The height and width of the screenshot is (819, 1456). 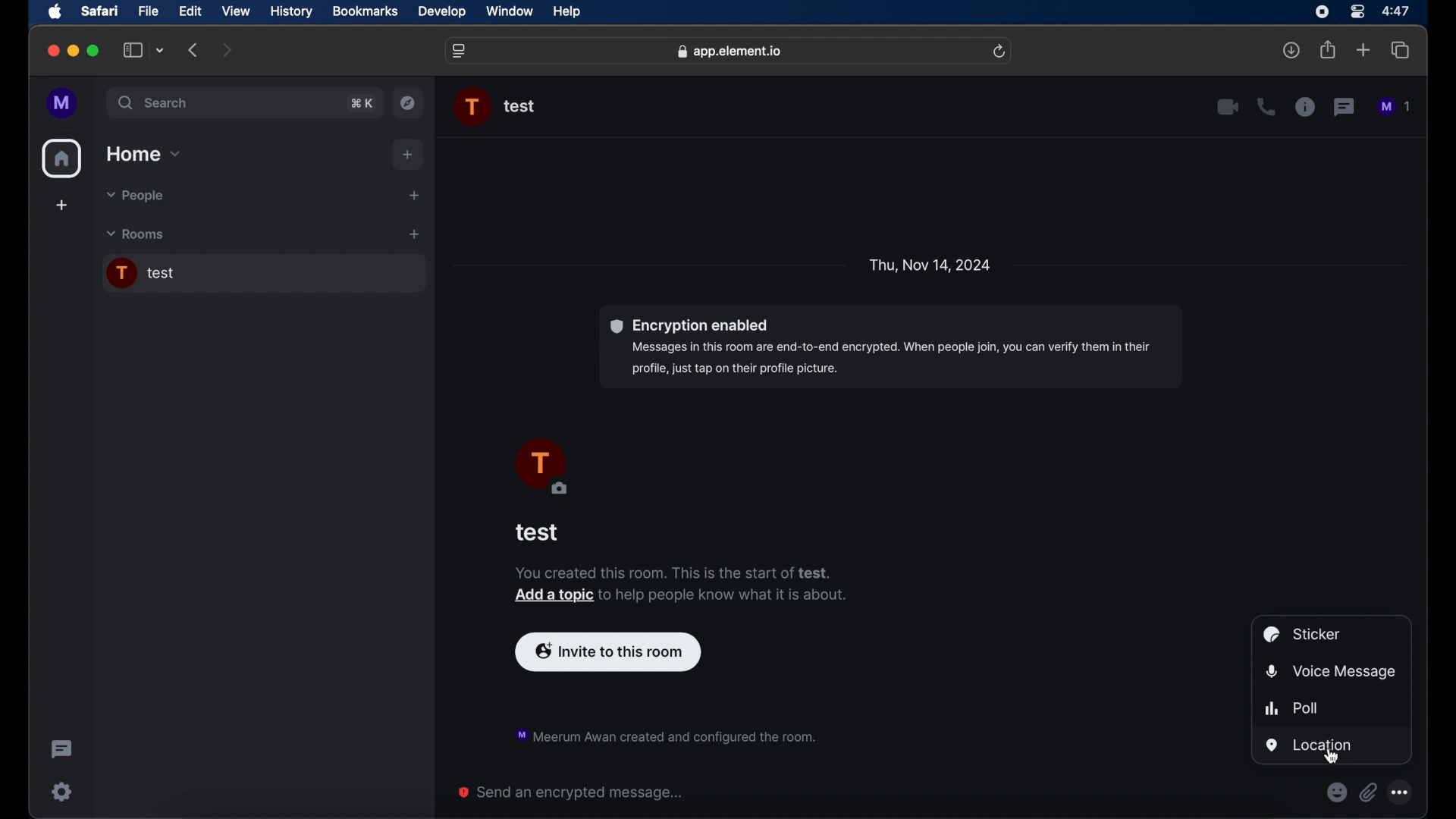 I want to click on add, so click(x=61, y=207).